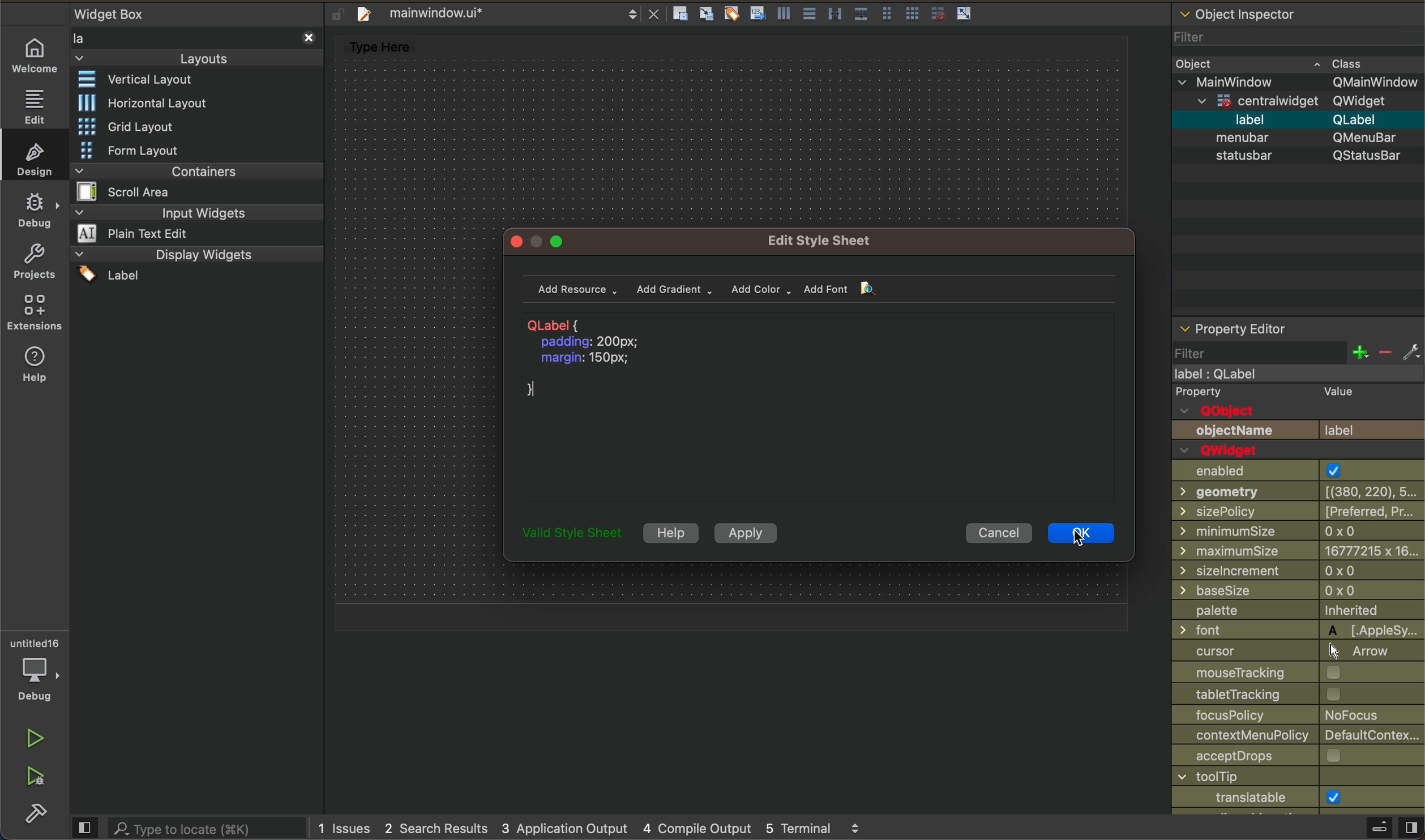 The height and width of the screenshot is (840, 1425). I want to click on grid layout, so click(146, 127).